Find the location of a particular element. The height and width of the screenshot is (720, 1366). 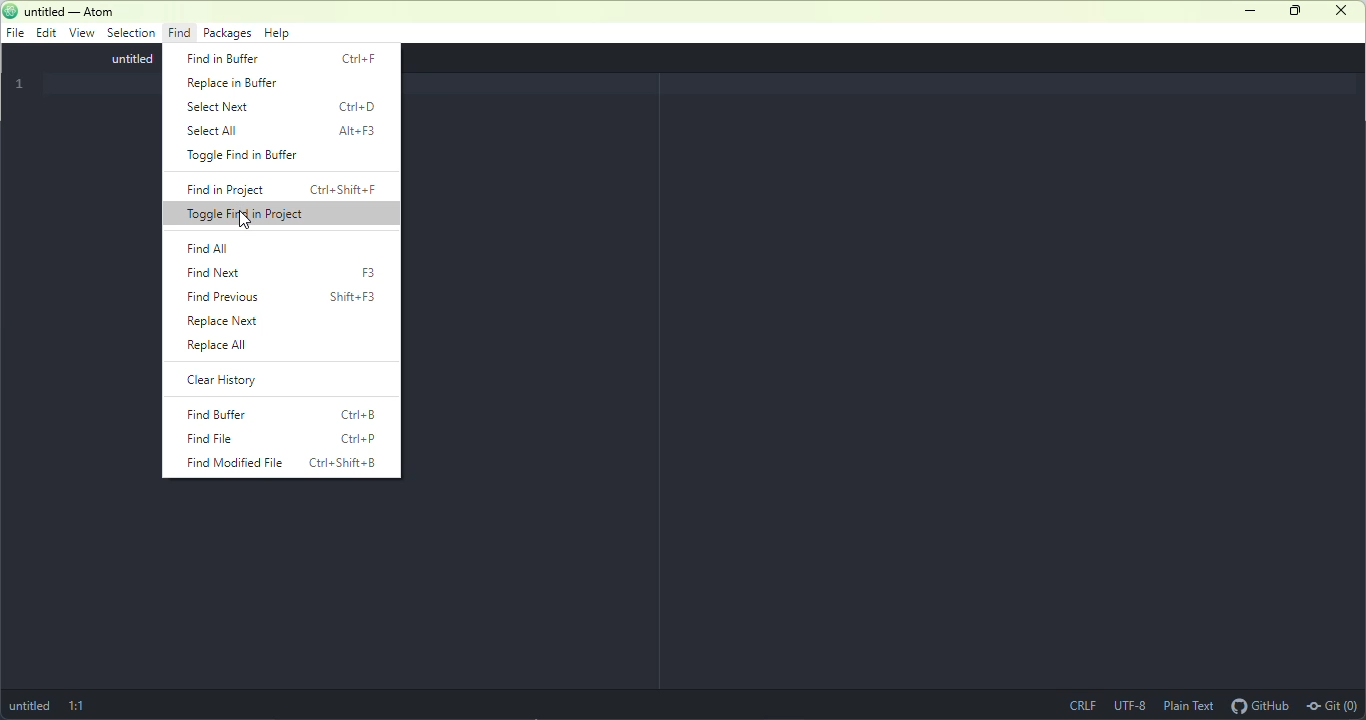

select all is located at coordinates (284, 132).